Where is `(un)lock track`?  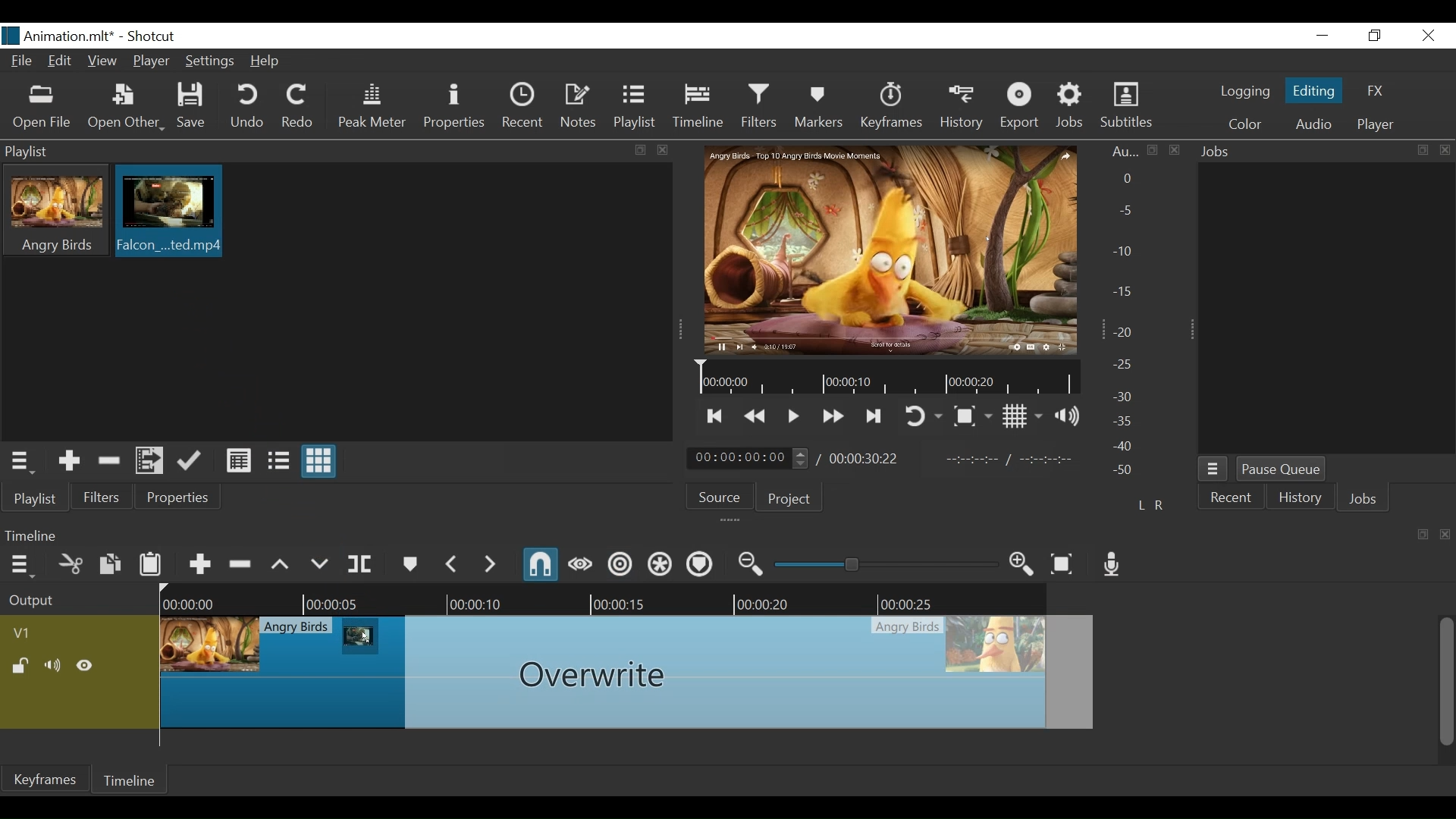 (un)lock track is located at coordinates (21, 666).